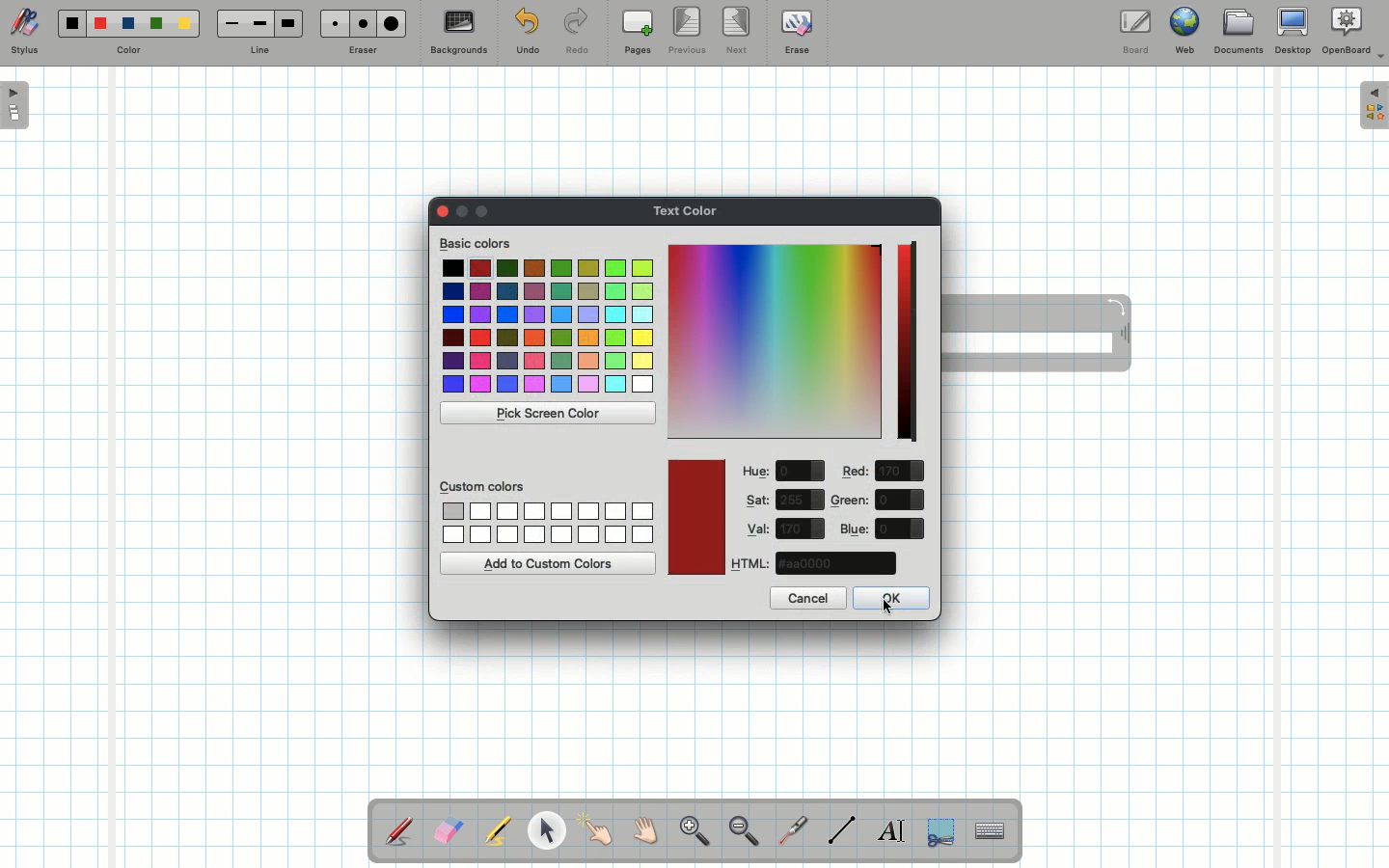 This screenshot has width=1389, height=868. What do you see at coordinates (527, 35) in the screenshot?
I see `Undo` at bounding box center [527, 35].